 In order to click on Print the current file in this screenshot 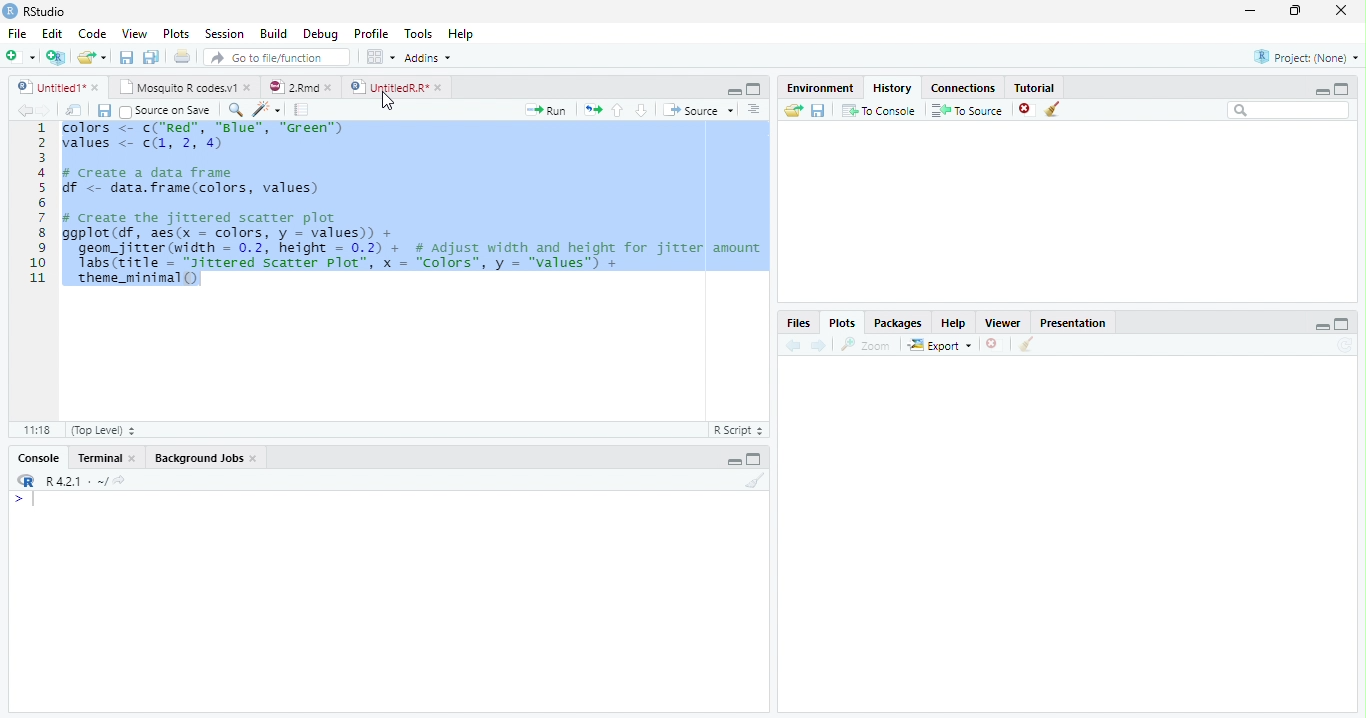, I will do `click(183, 56)`.